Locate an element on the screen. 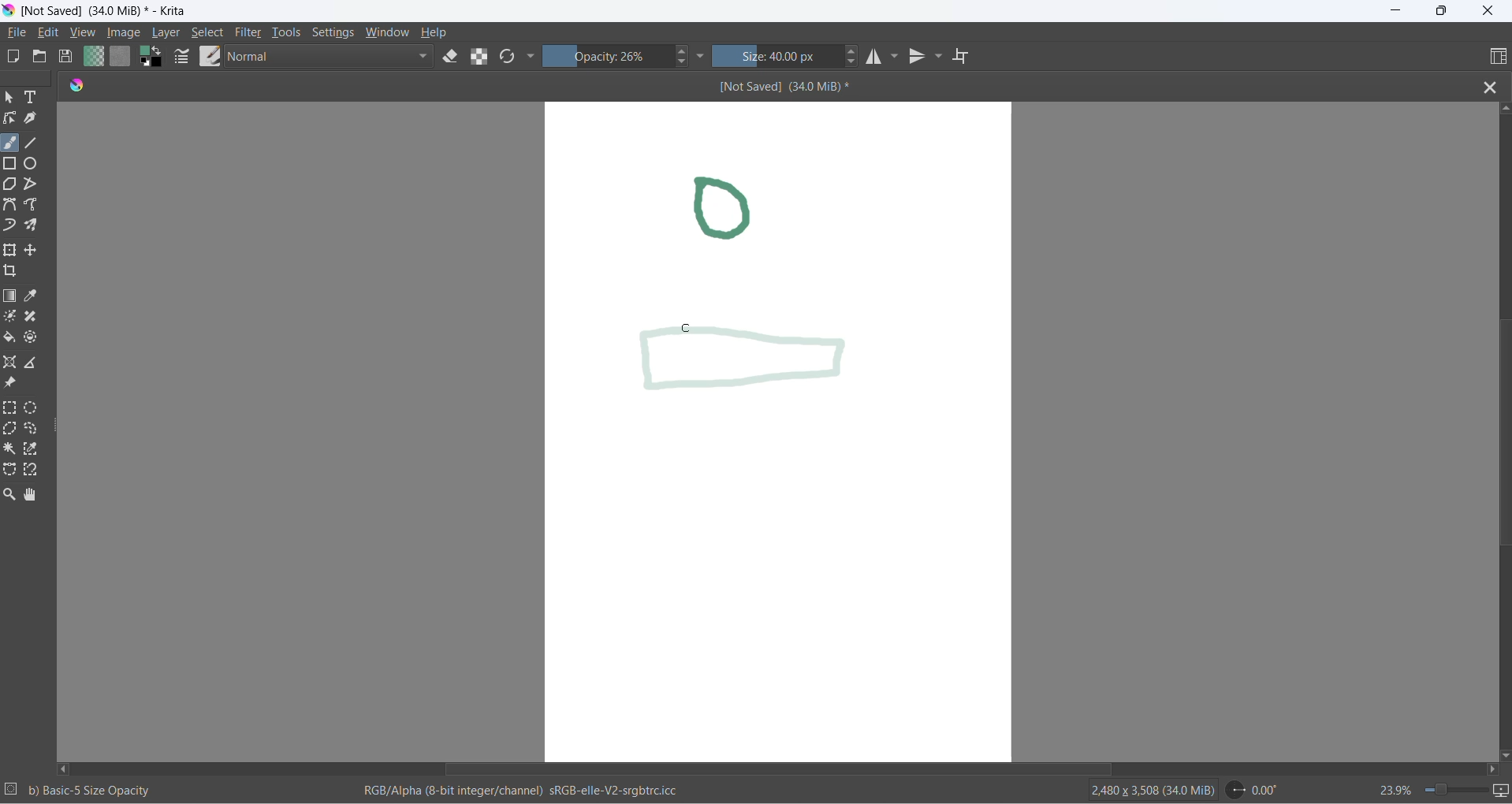 Image resolution: width=1512 pixels, height=804 pixels. crop an image to an area is located at coordinates (16, 274).